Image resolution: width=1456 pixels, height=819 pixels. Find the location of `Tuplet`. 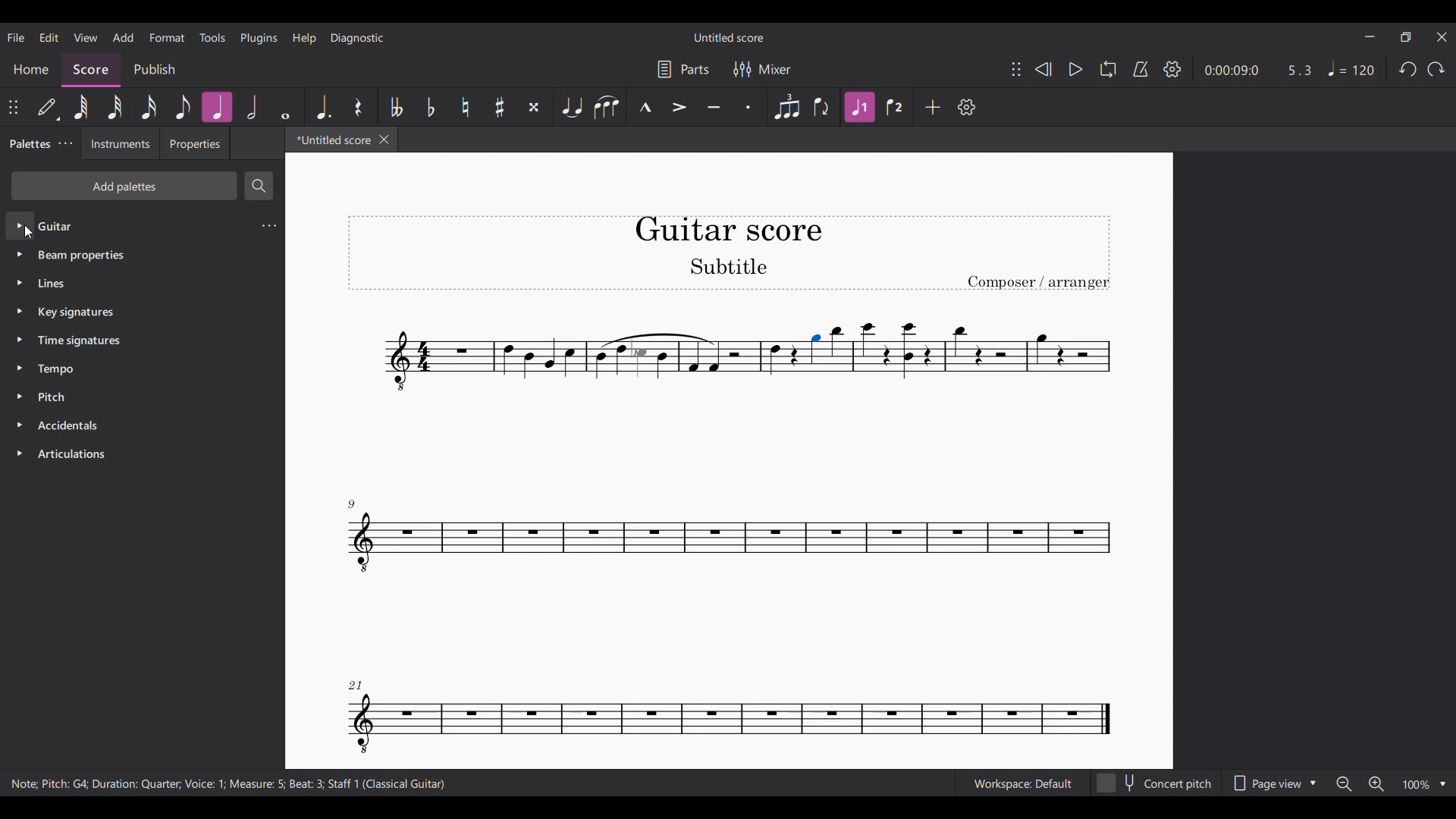

Tuplet is located at coordinates (786, 107).